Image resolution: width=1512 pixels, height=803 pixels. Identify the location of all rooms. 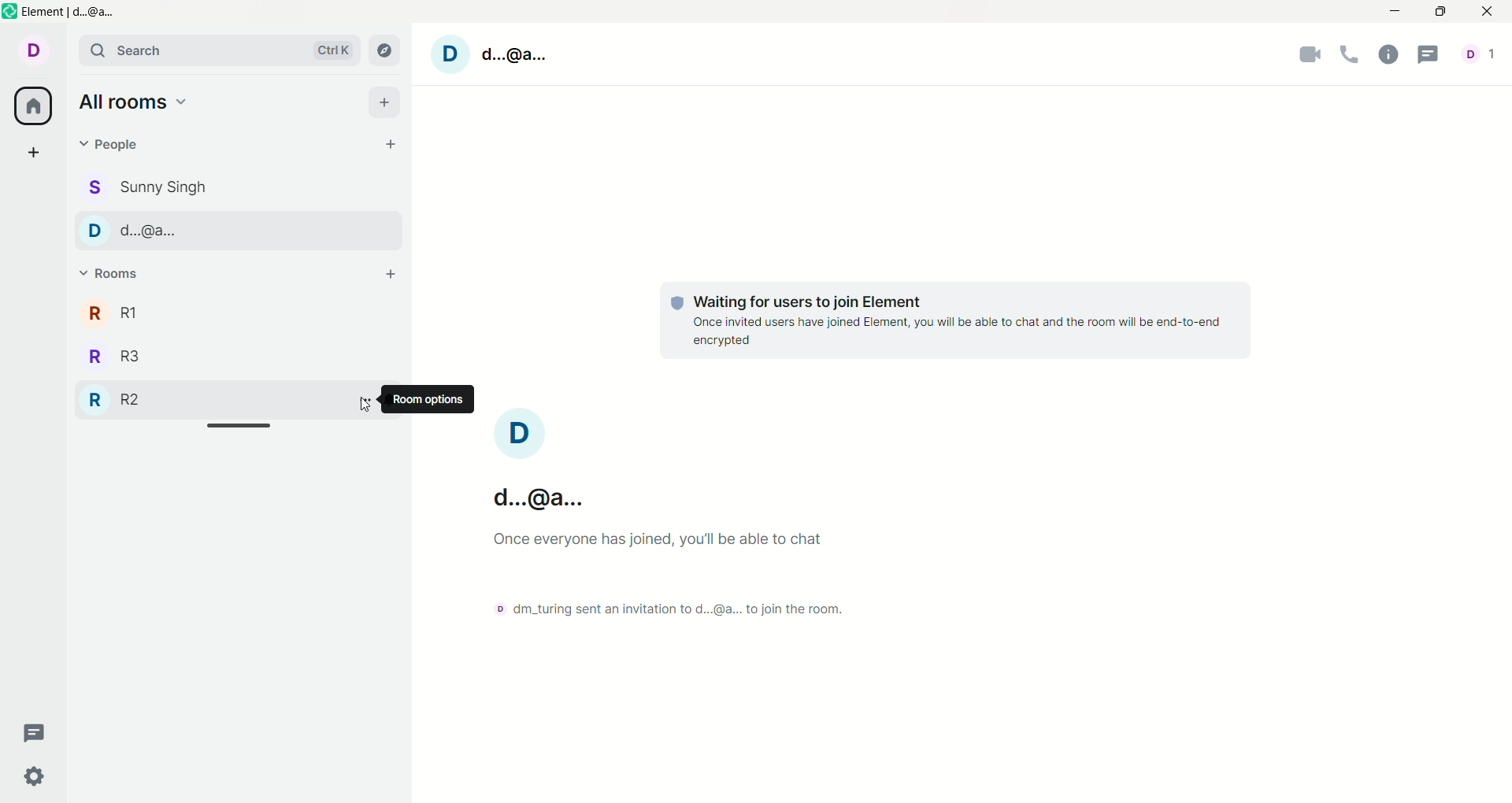
(133, 102).